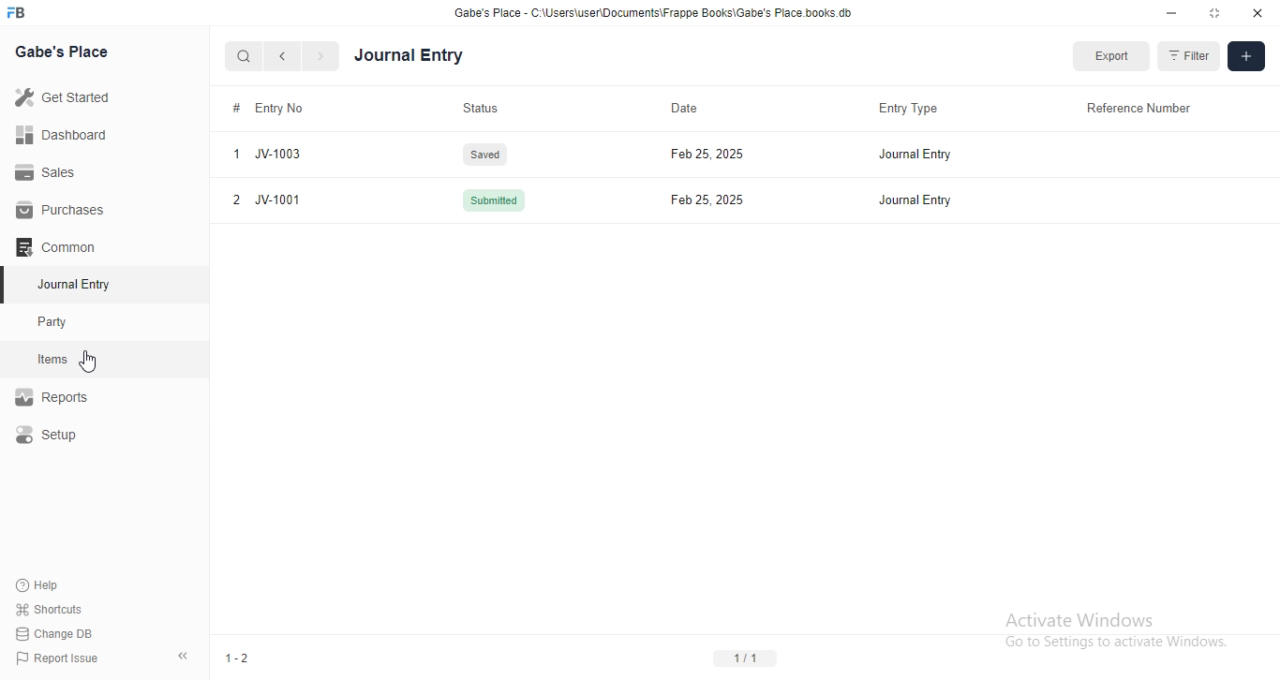  Describe the element at coordinates (912, 109) in the screenshot. I see `Entry Type` at that location.